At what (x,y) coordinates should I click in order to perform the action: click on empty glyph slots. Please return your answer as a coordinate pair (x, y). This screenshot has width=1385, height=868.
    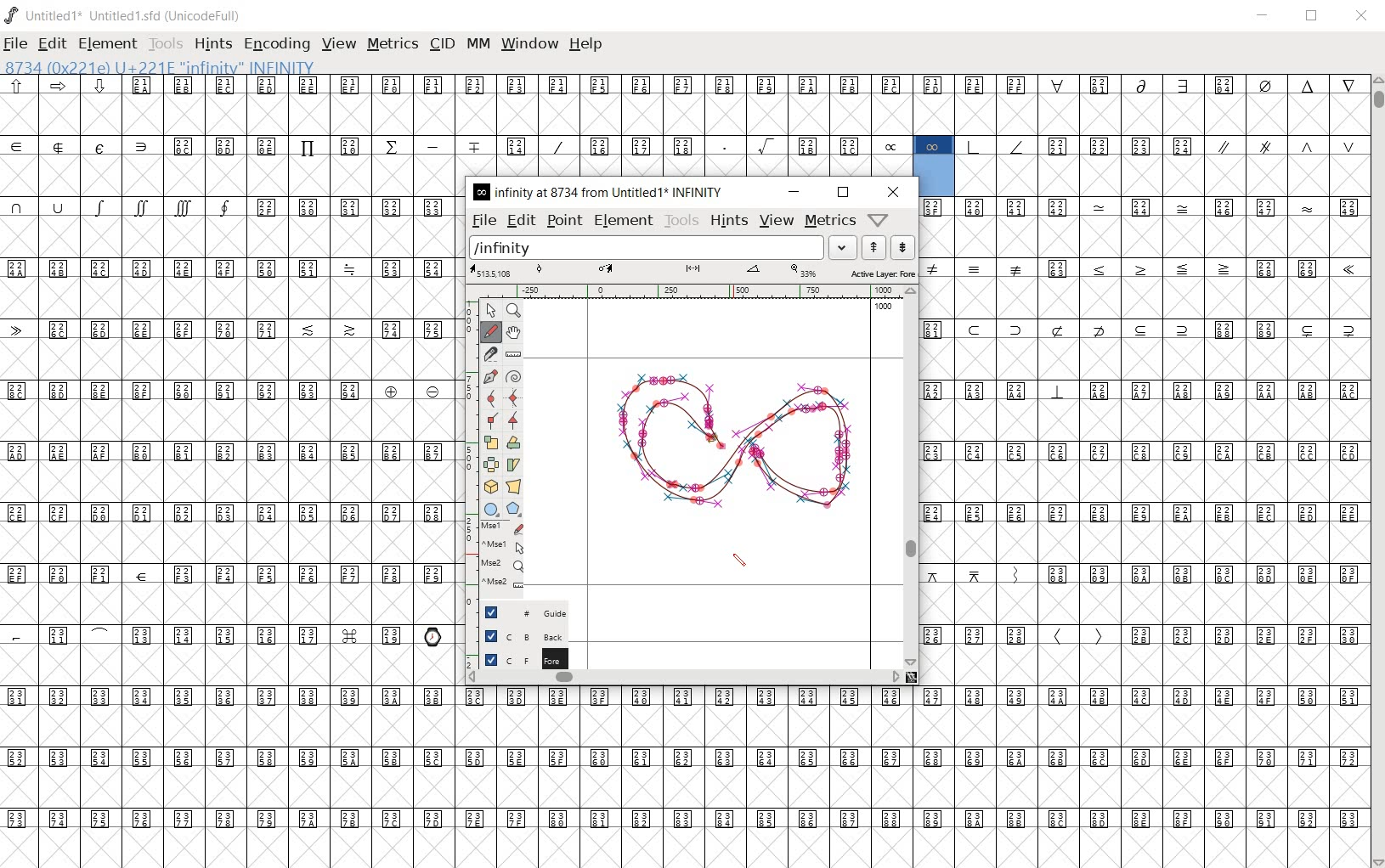
    Looking at the image, I should click on (231, 604).